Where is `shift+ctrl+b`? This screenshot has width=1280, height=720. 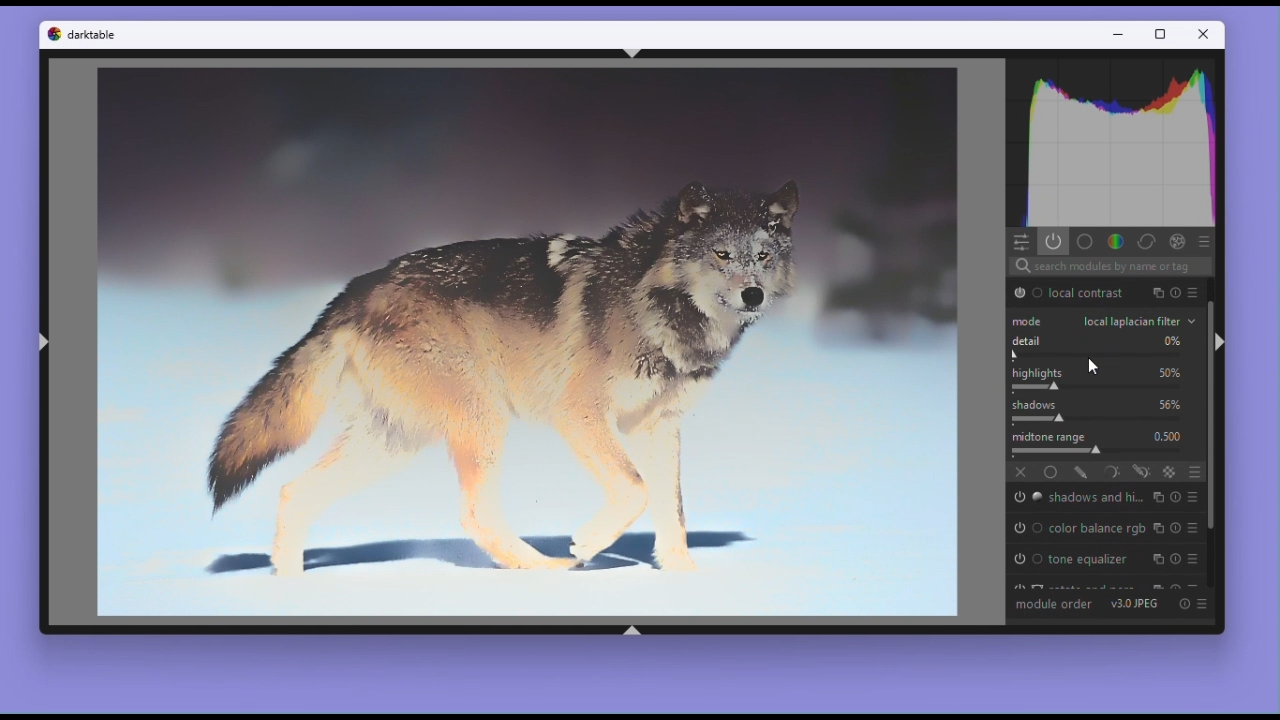 shift+ctrl+b is located at coordinates (632, 630).